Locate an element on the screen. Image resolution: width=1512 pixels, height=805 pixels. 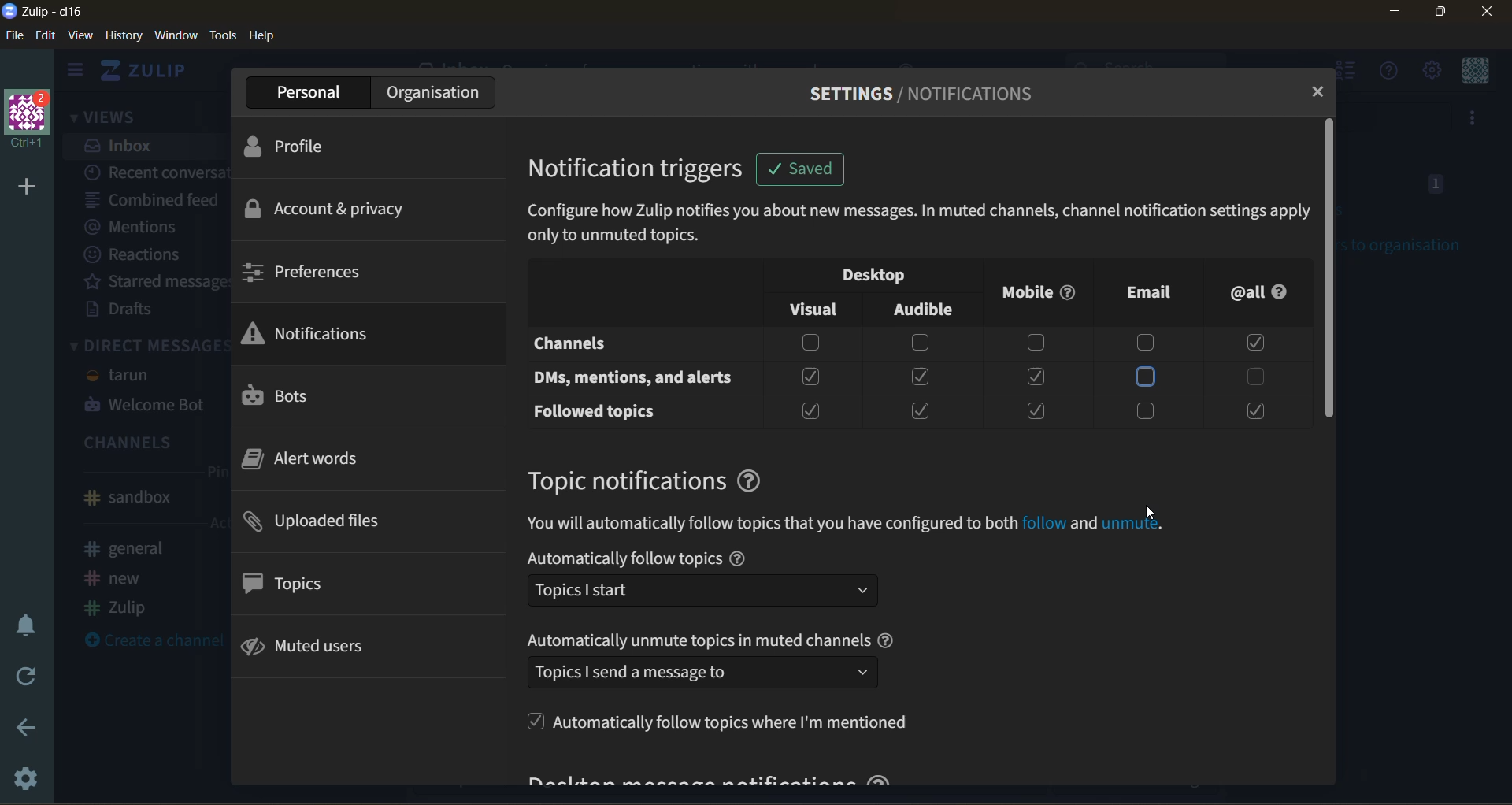
checkbox is located at coordinates (1252, 411).